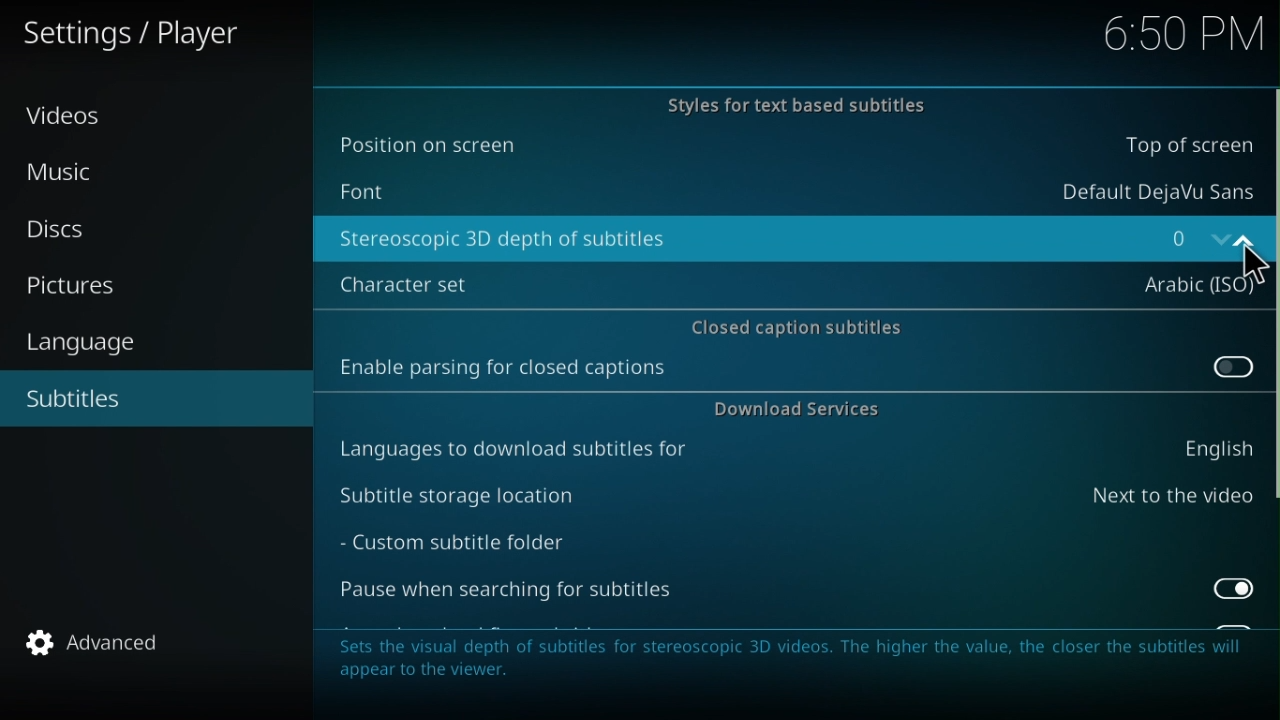 This screenshot has width=1280, height=720. What do you see at coordinates (64, 226) in the screenshot?
I see `Disc` at bounding box center [64, 226].